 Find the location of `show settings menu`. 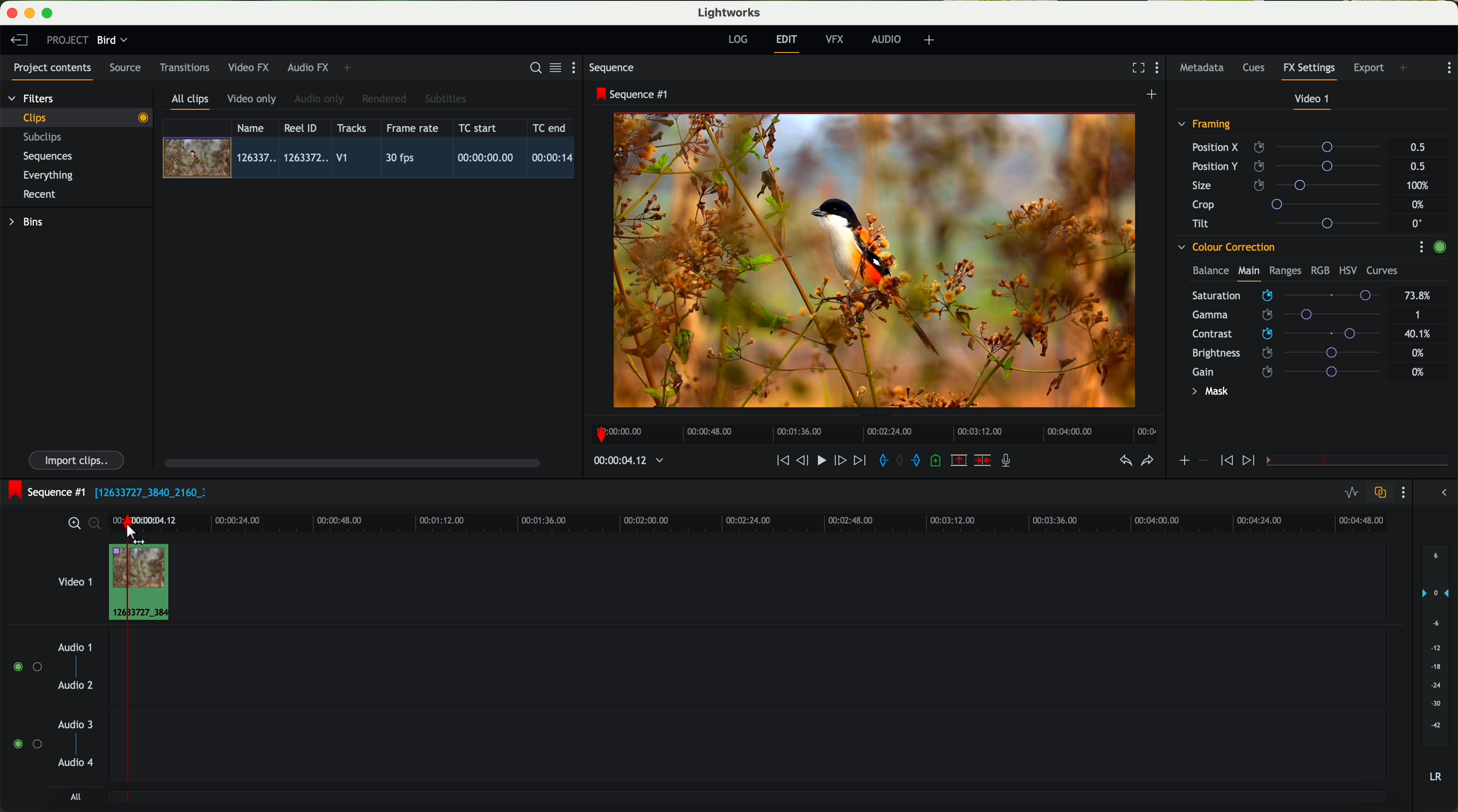

show settings menu is located at coordinates (1402, 492).